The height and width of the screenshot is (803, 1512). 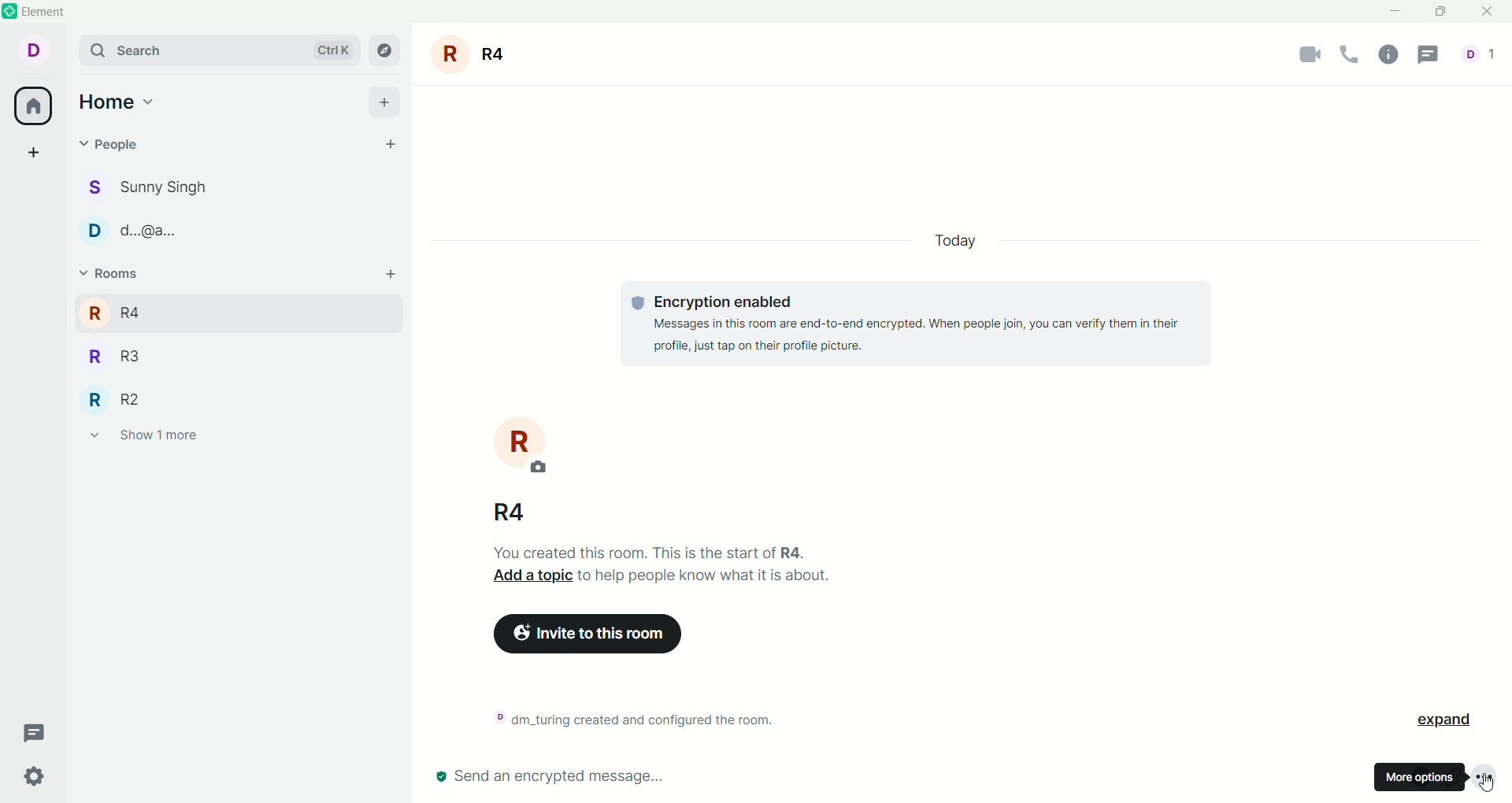 I want to click on text, so click(x=923, y=324).